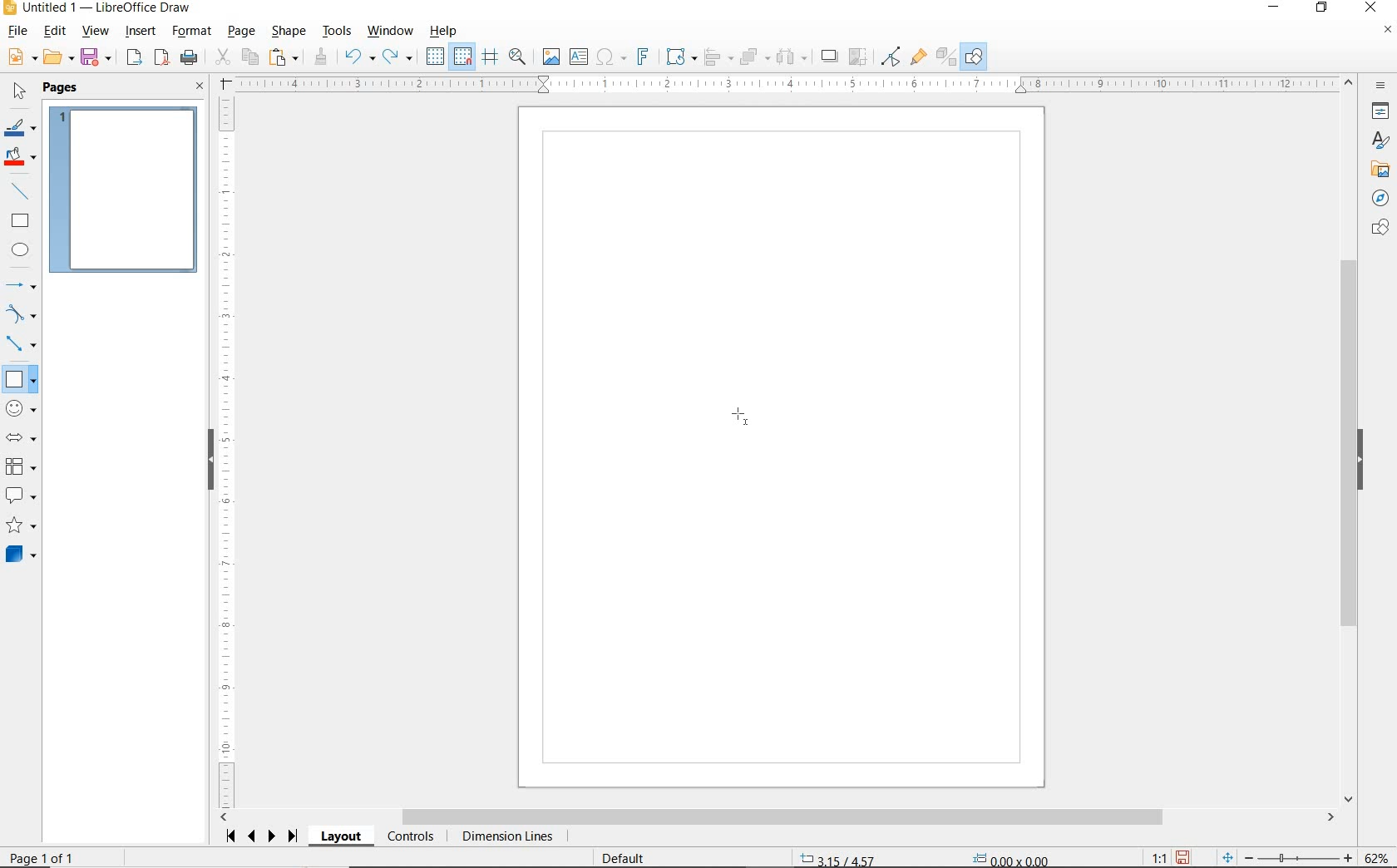 Image resolution: width=1397 pixels, height=868 pixels. Describe the element at coordinates (243, 32) in the screenshot. I see `PAGE` at that location.